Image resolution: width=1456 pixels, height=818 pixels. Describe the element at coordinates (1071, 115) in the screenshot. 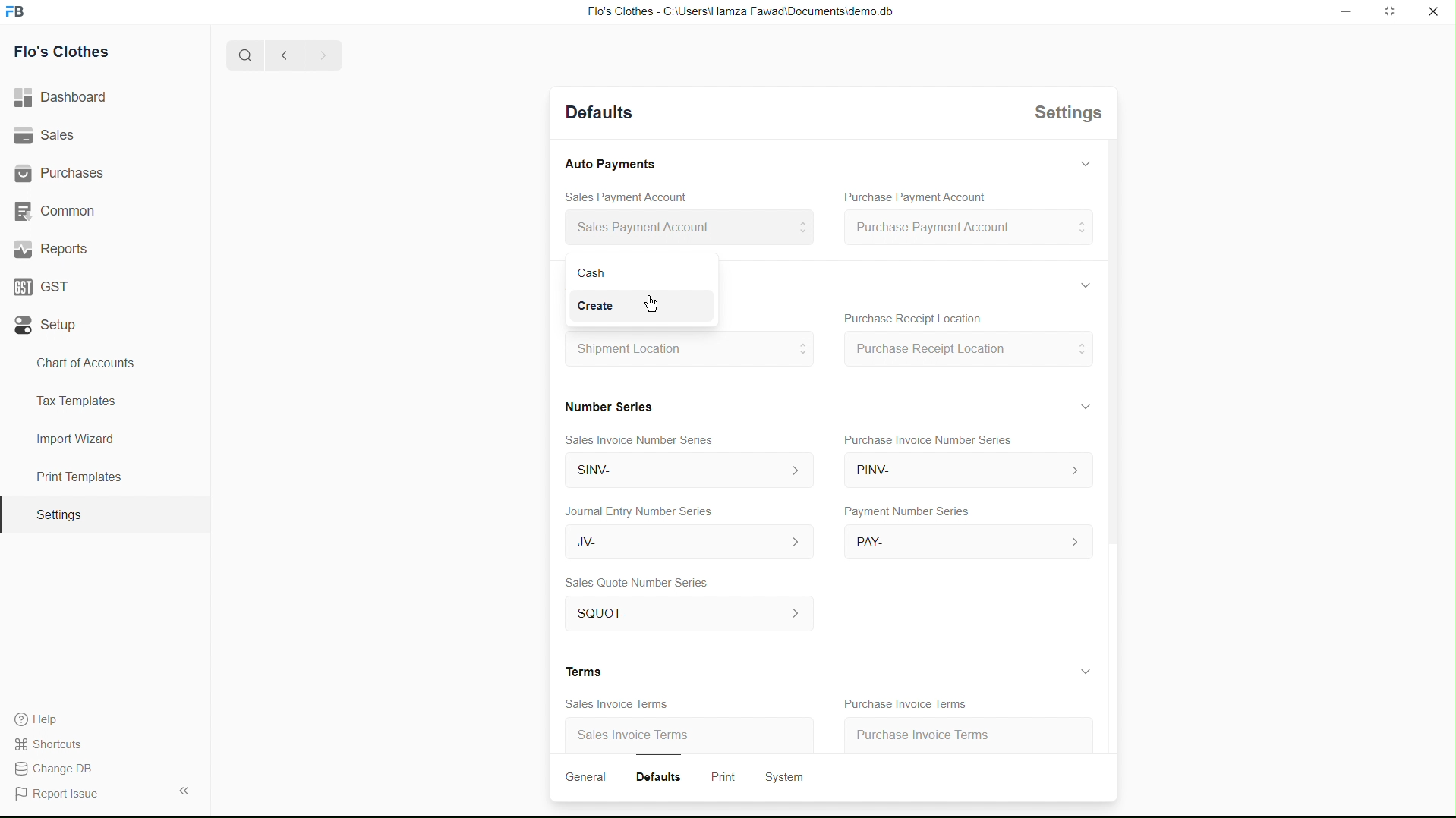

I see `Settings` at that location.